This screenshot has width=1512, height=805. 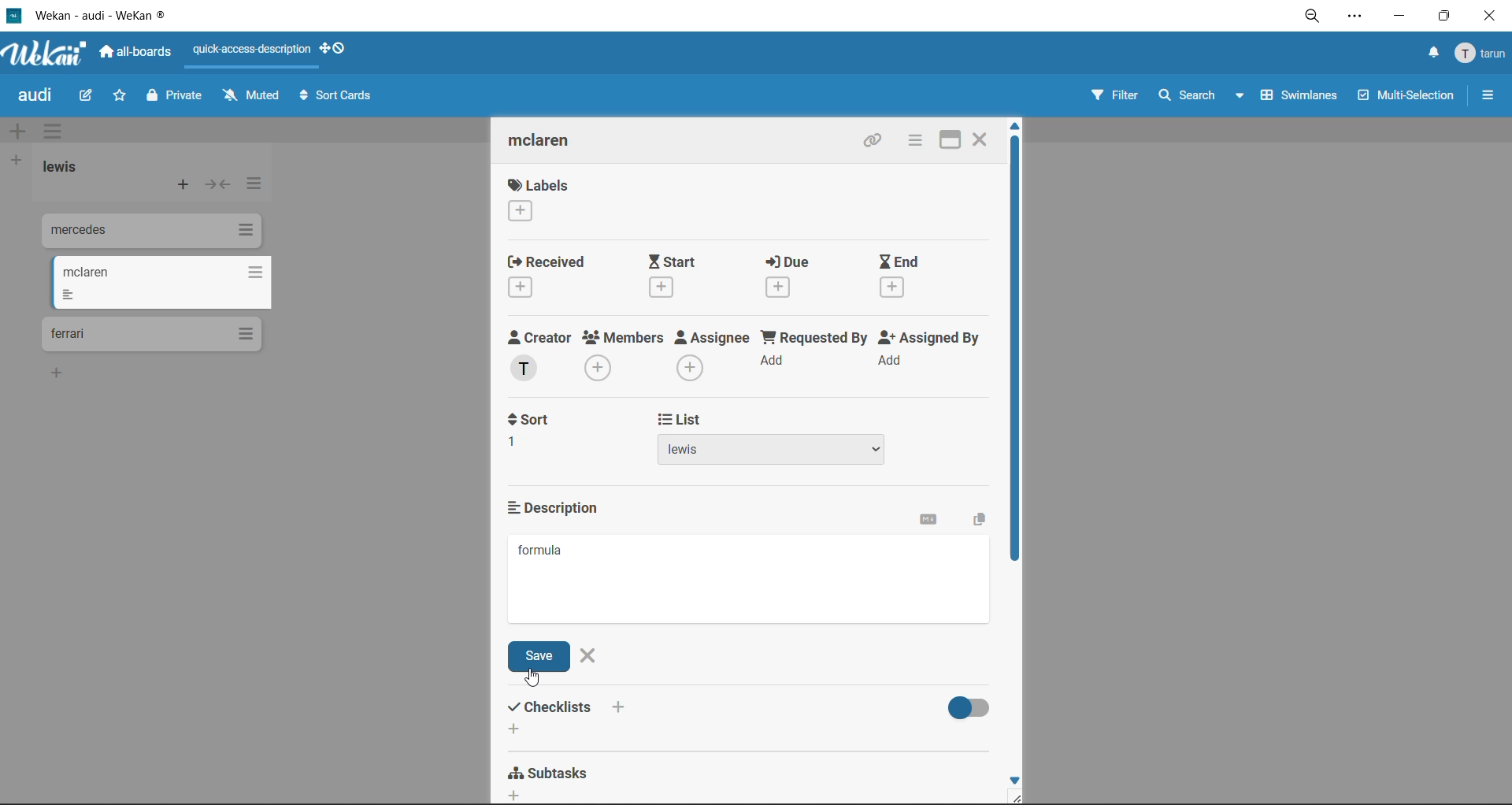 I want to click on maximize, so click(x=1448, y=15).